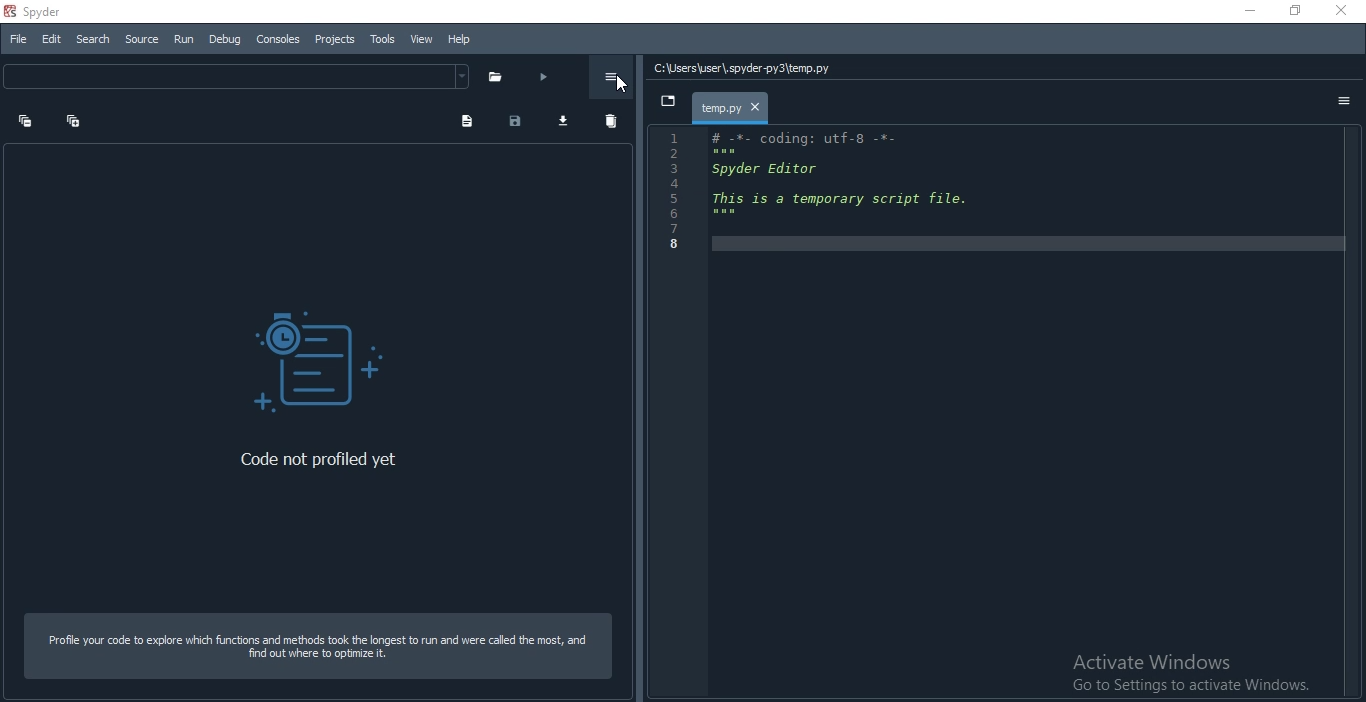  What do you see at coordinates (419, 37) in the screenshot?
I see `View` at bounding box center [419, 37].